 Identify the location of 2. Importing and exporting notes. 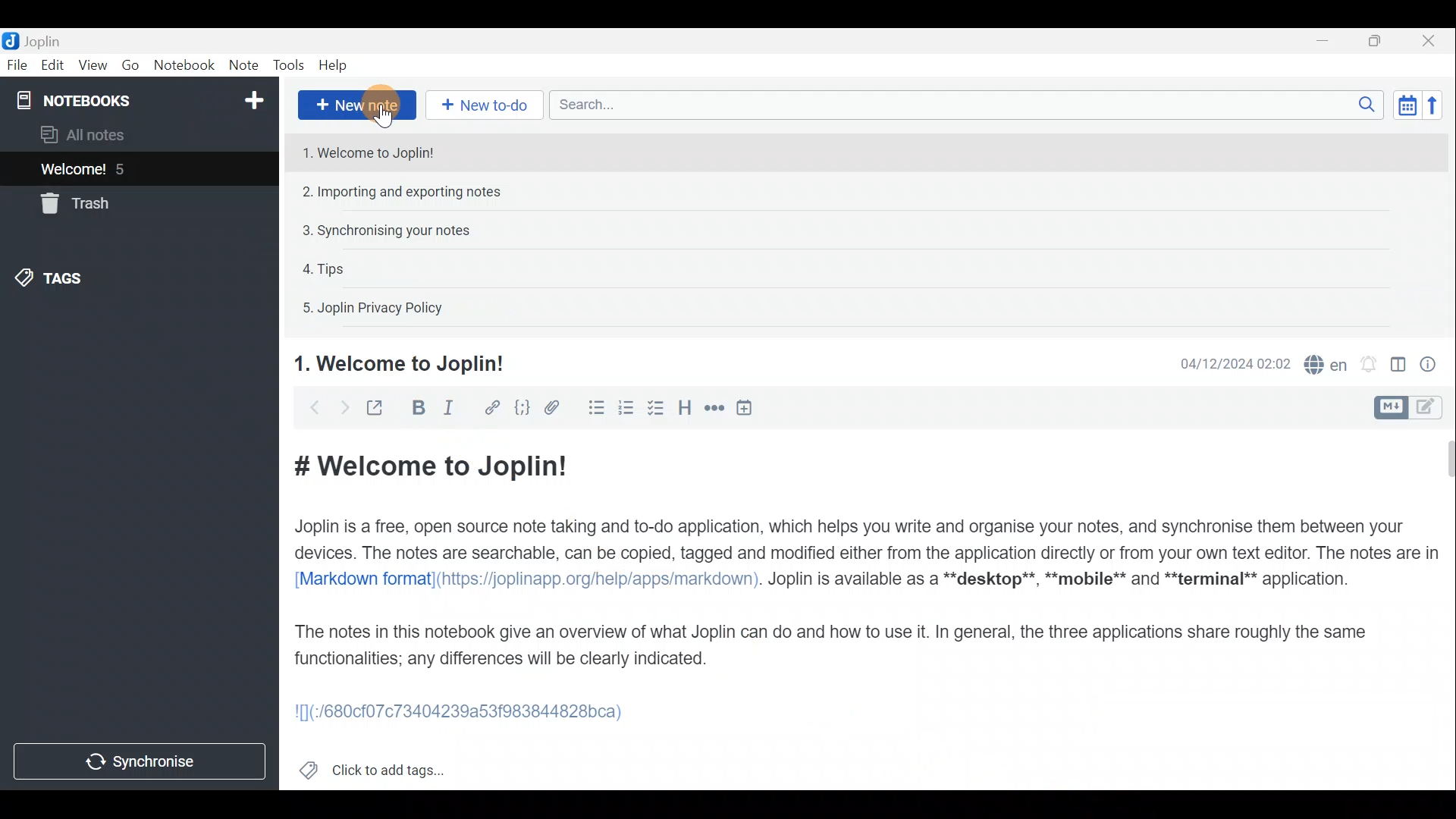
(404, 192).